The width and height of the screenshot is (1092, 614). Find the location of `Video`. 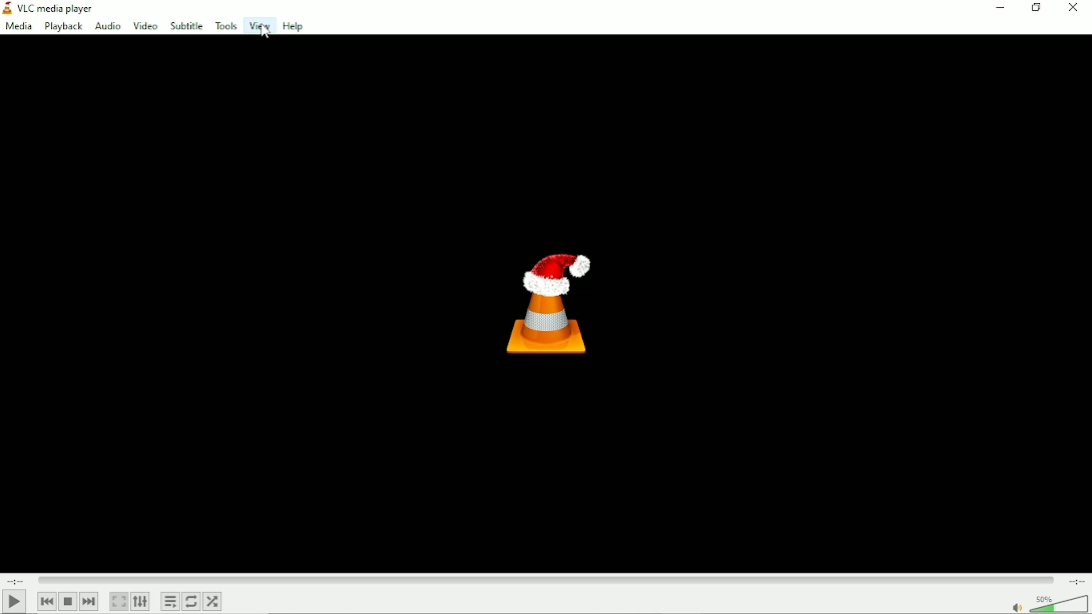

Video is located at coordinates (144, 25).